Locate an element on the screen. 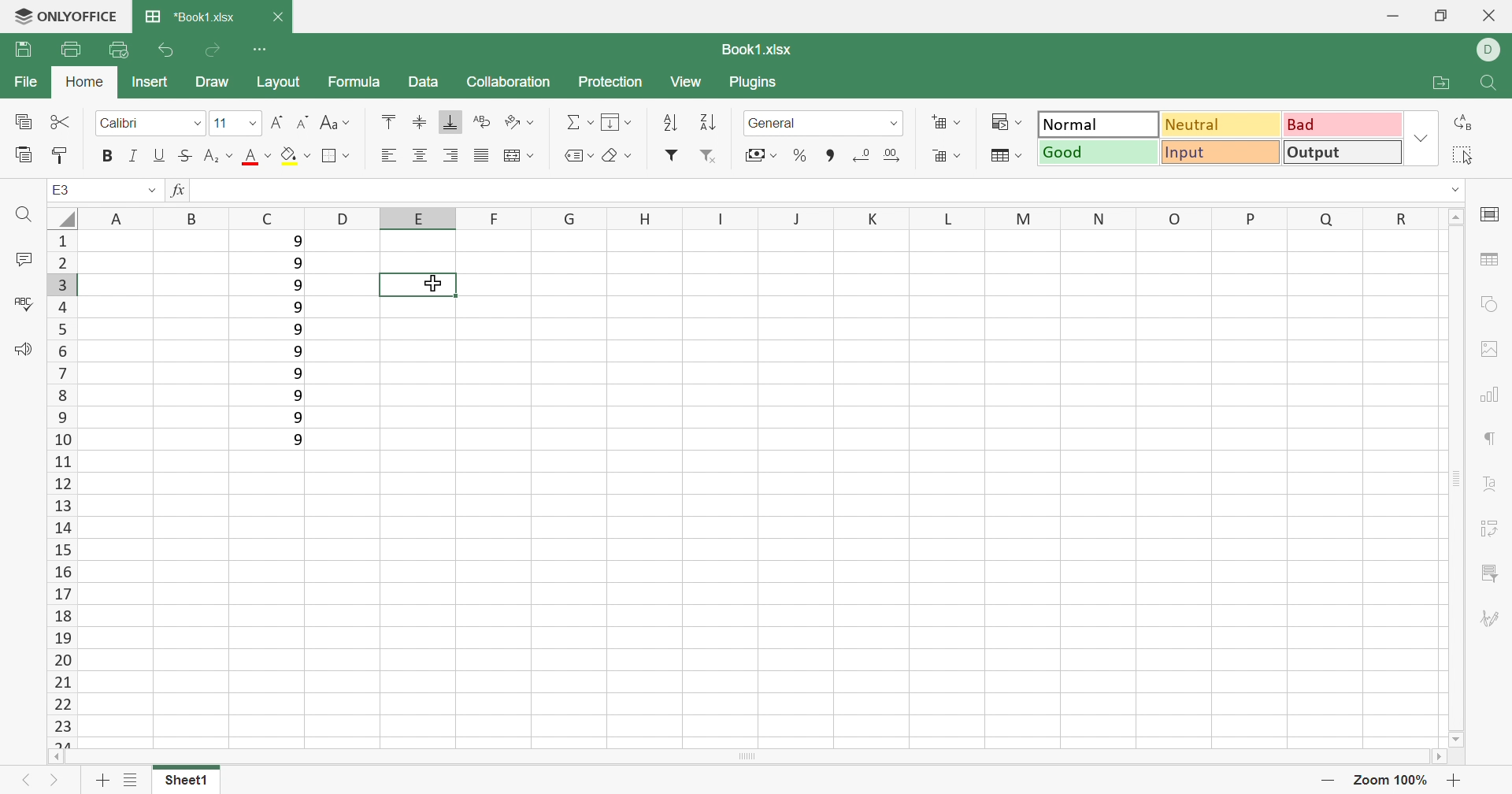 The height and width of the screenshot is (794, 1512). Scroll Bar is located at coordinates (750, 759).